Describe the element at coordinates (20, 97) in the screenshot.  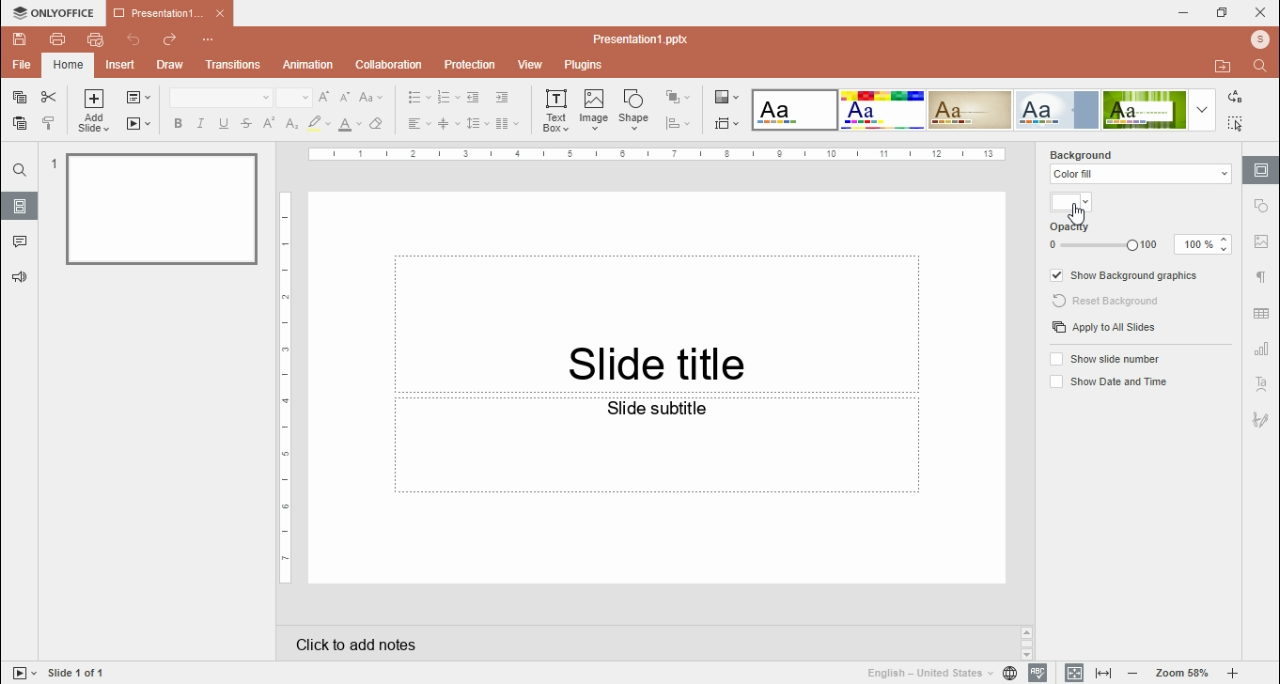
I see `copy` at that location.